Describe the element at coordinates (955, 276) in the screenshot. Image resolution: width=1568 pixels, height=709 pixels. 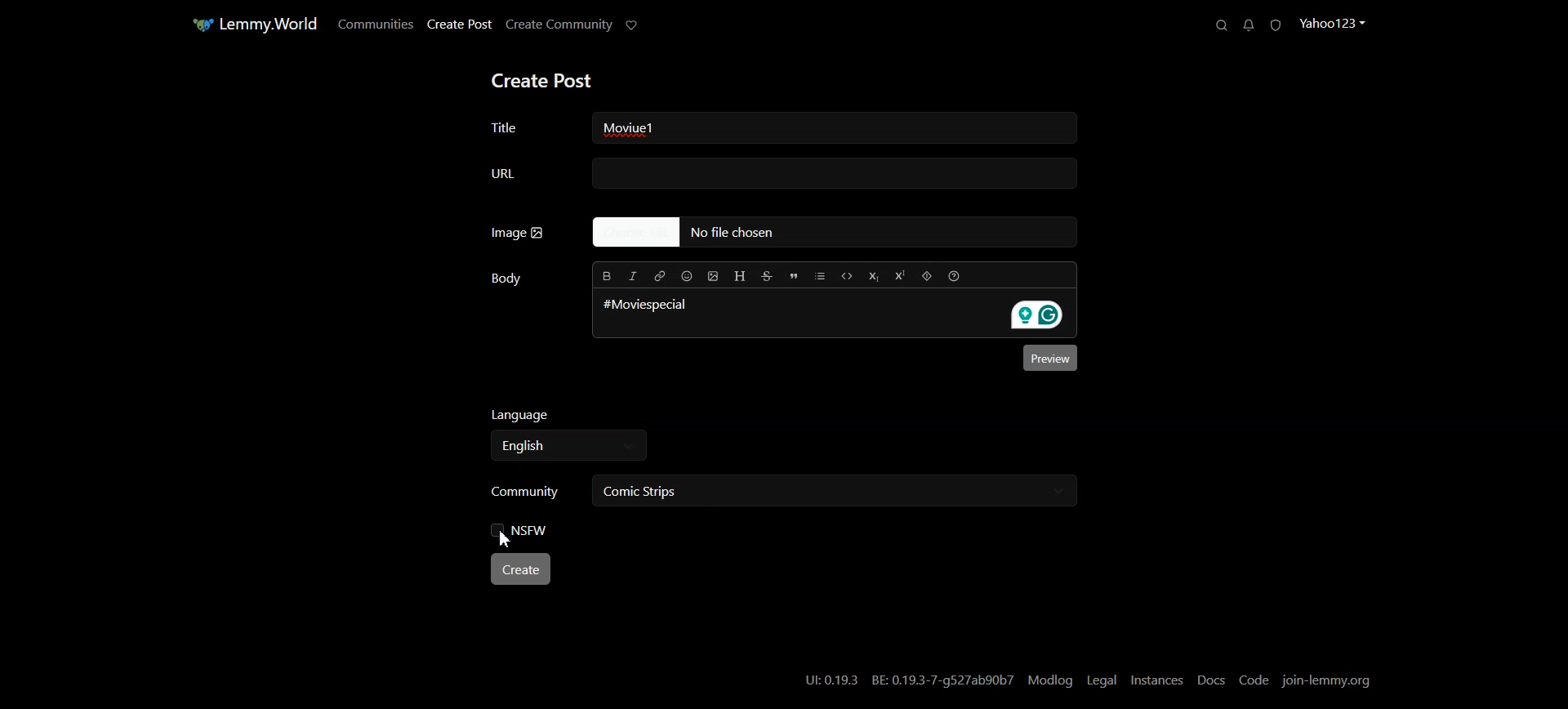
I see `Formatting help` at that location.